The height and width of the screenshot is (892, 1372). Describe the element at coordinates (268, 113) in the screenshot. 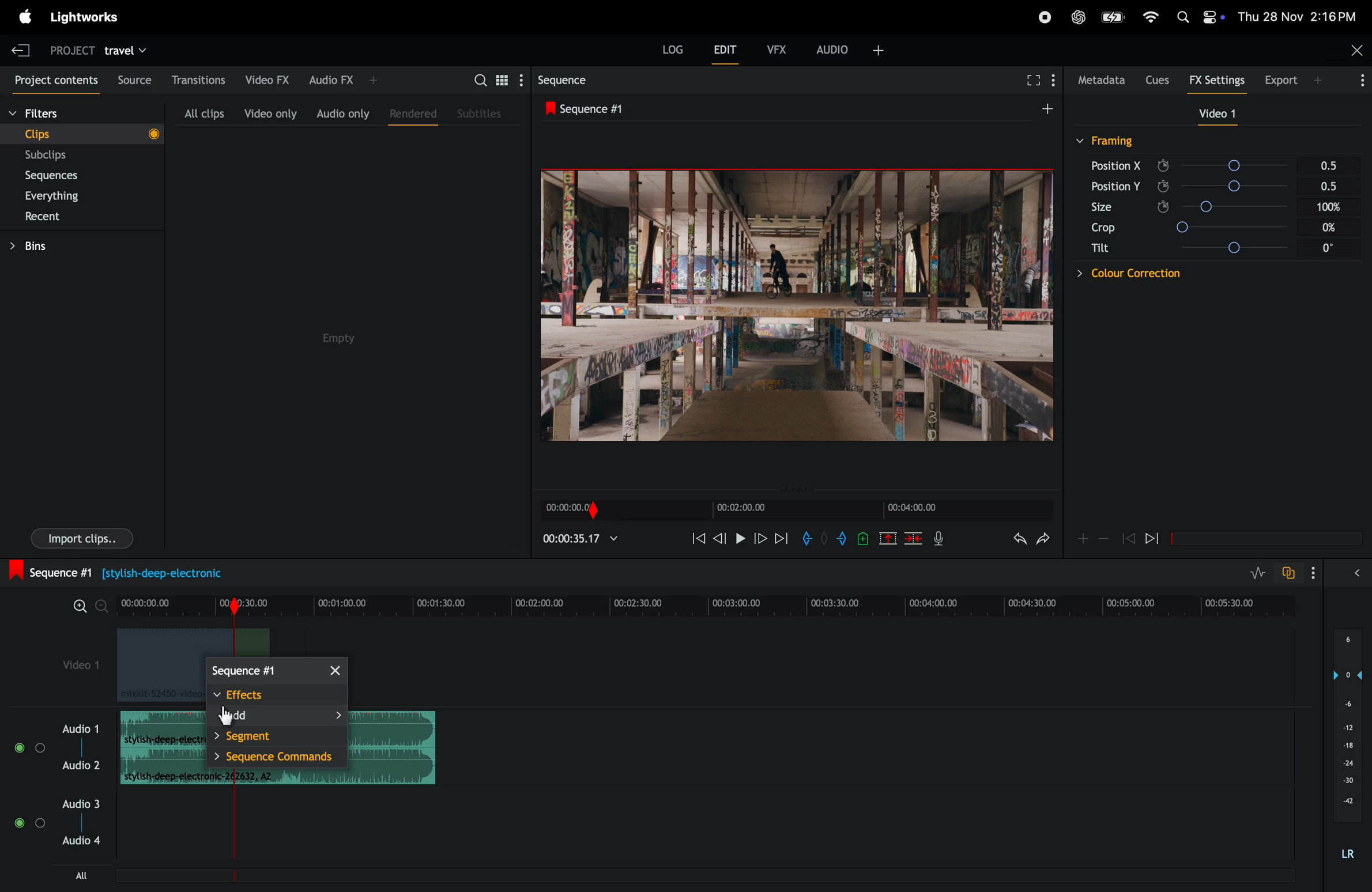

I see `video only` at that location.